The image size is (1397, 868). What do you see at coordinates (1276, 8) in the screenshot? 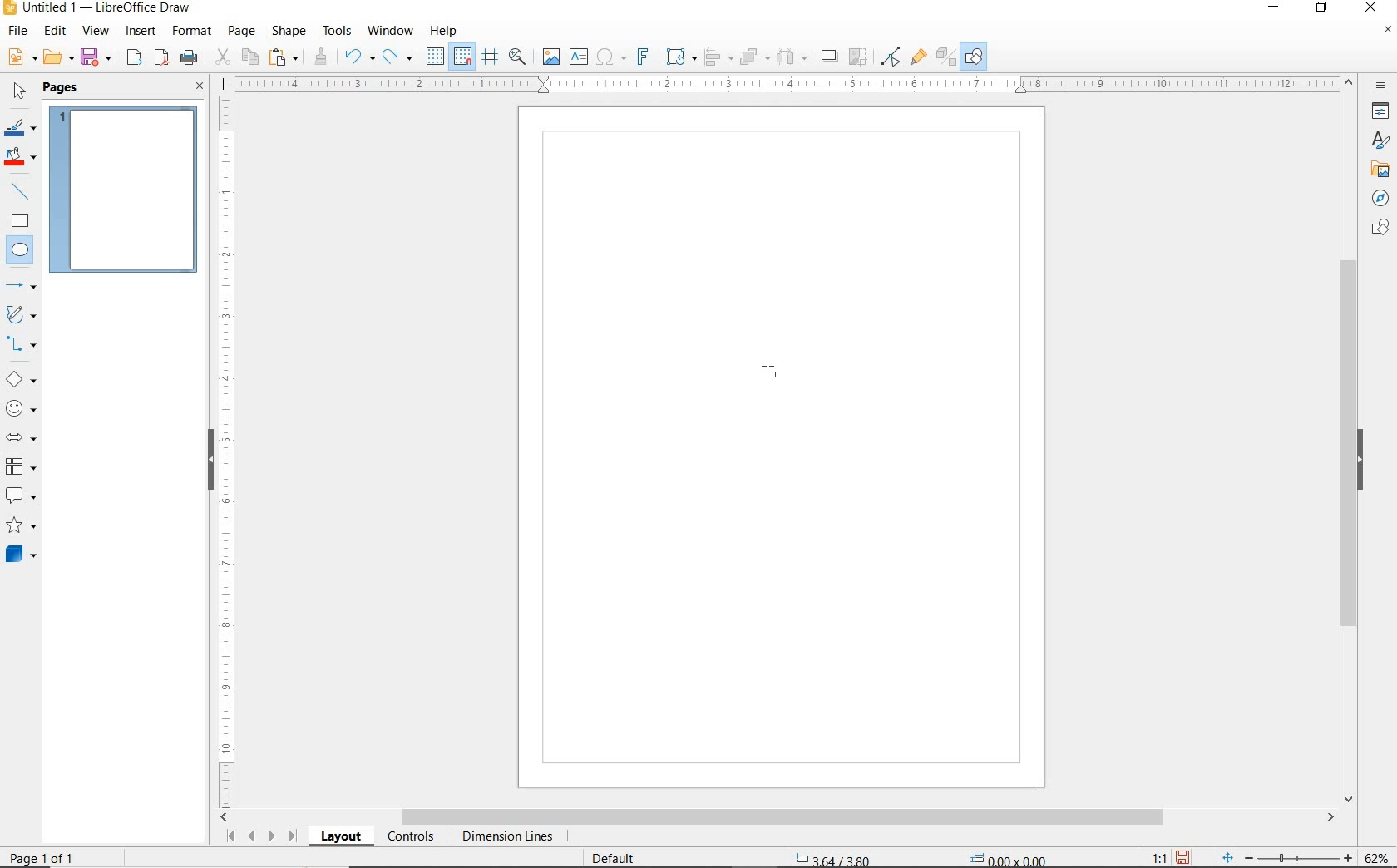
I see `MINIMIZE` at bounding box center [1276, 8].